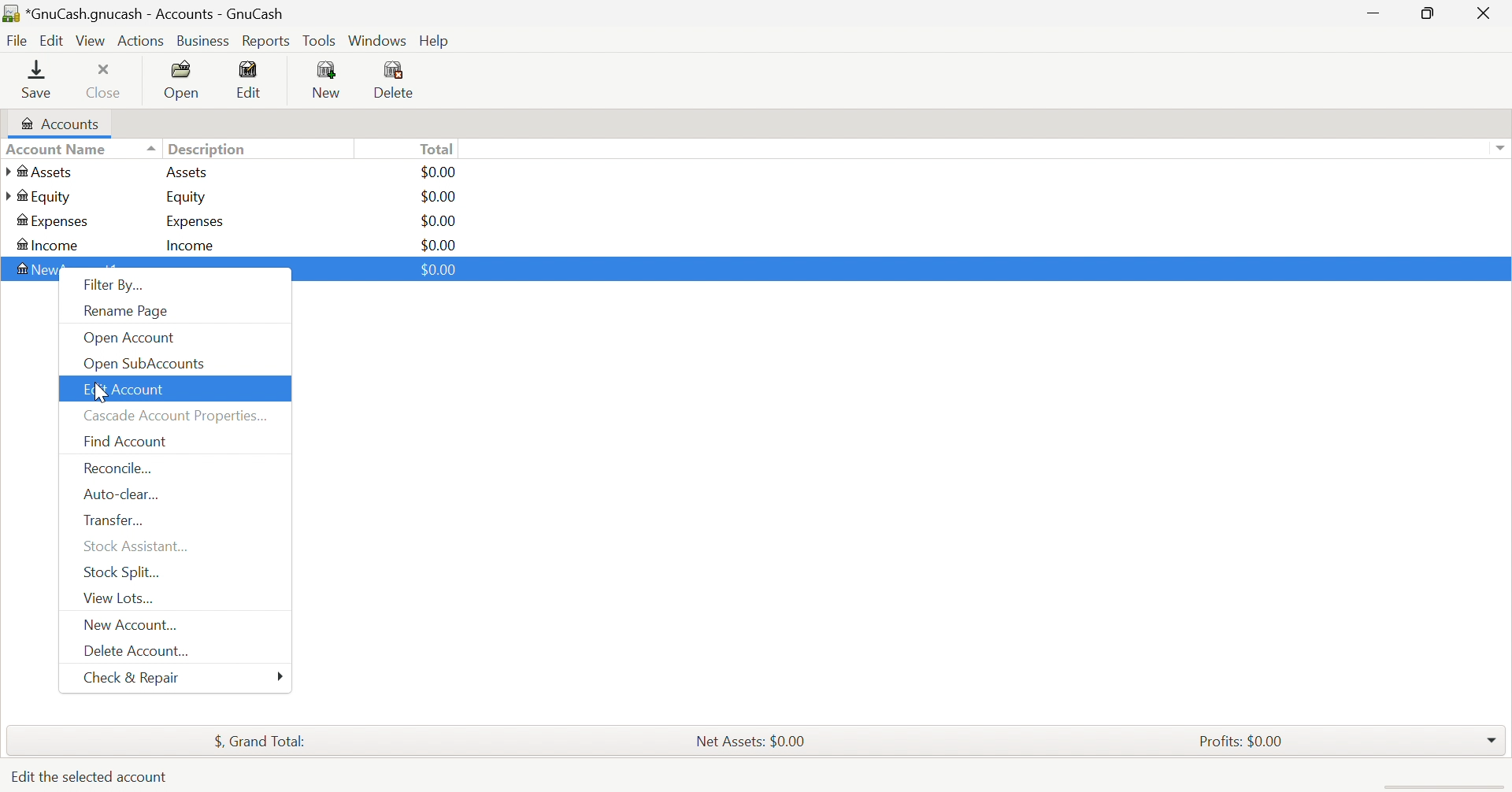 The height and width of the screenshot is (792, 1512). Describe the element at coordinates (142, 41) in the screenshot. I see `Actions` at that location.